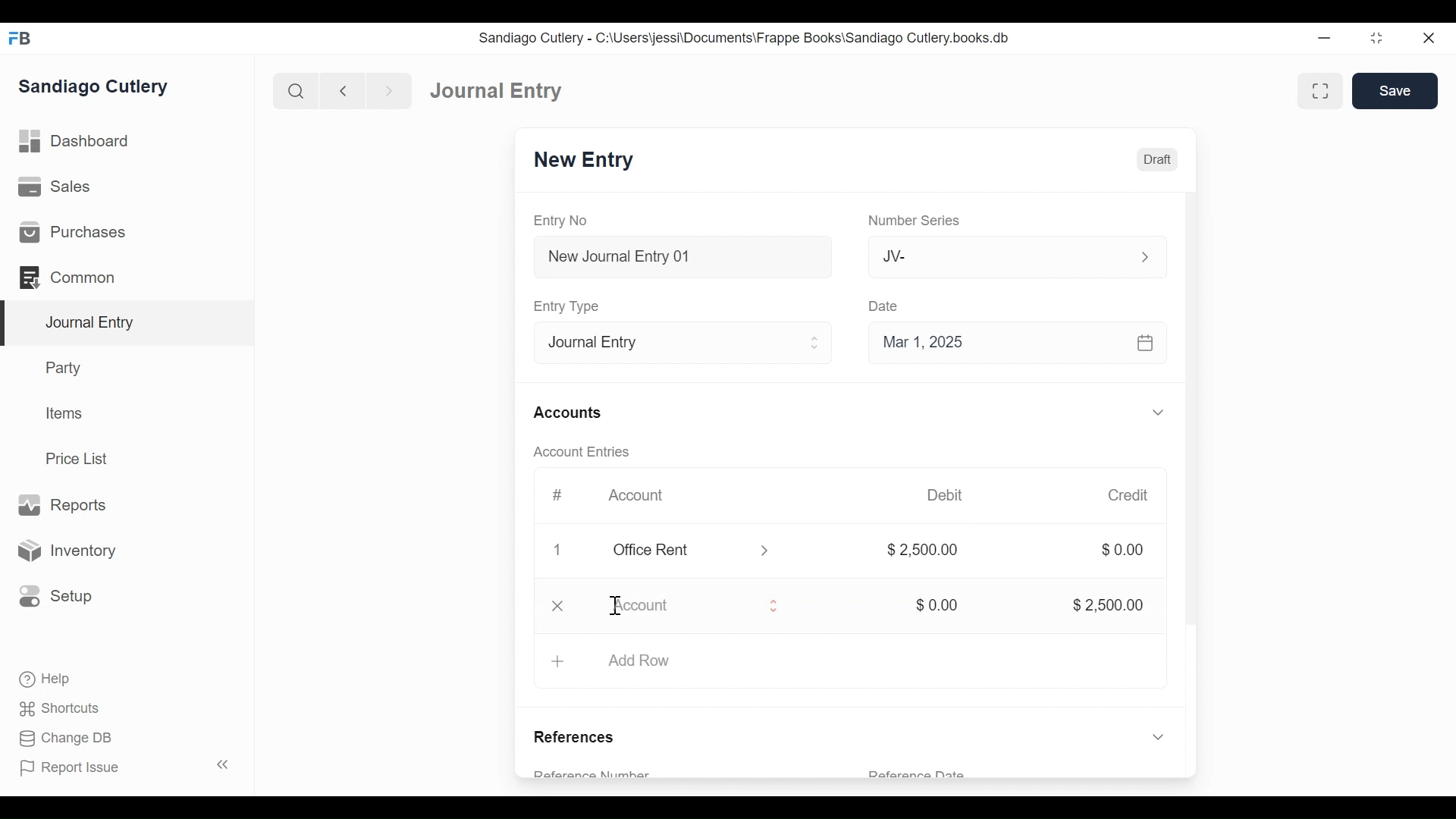  What do you see at coordinates (585, 161) in the screenshot?
I see `New Entry` at bounding box center [585, 161].